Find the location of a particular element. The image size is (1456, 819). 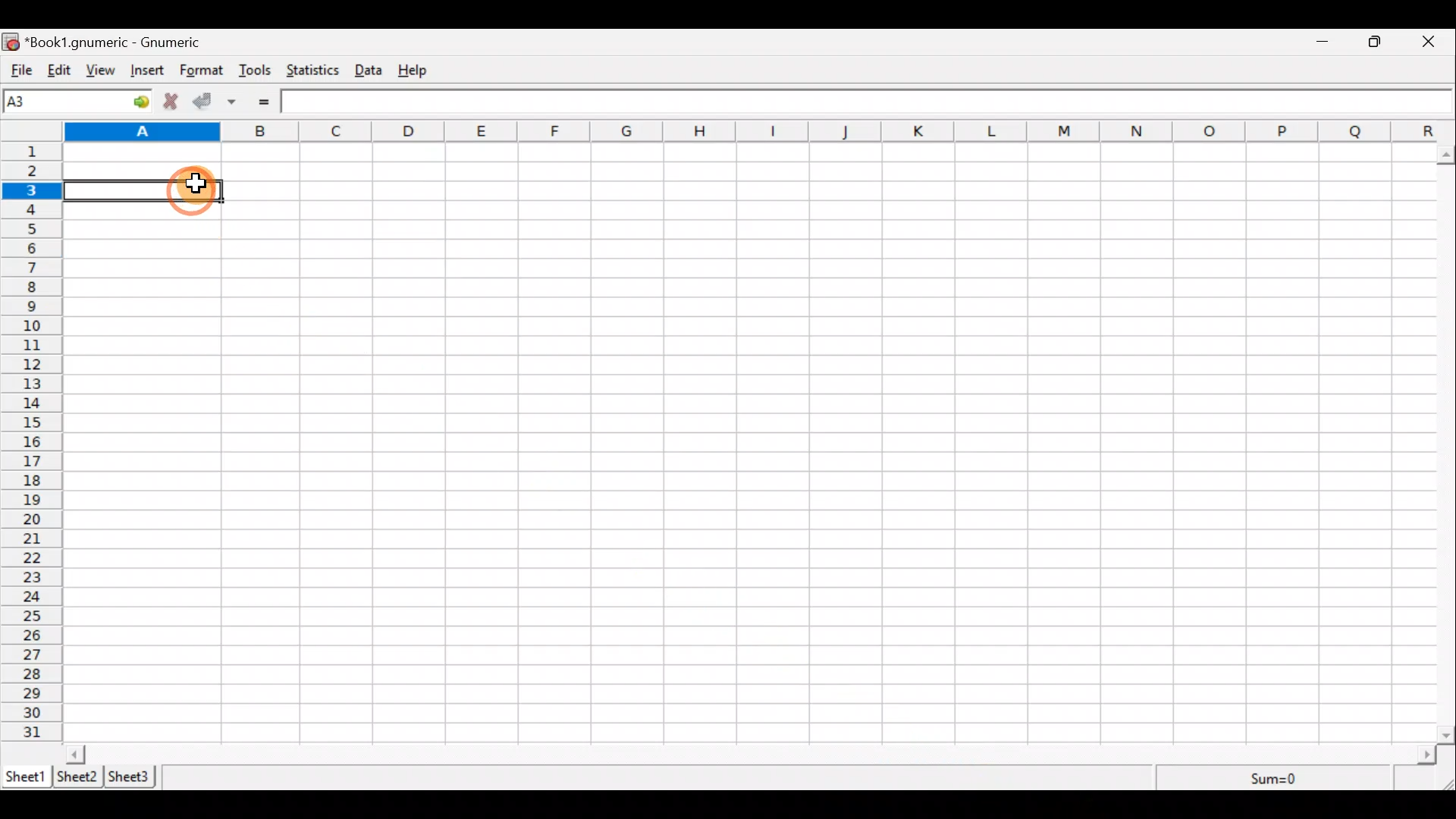

scroll right is located at coordinates (1426, 755).